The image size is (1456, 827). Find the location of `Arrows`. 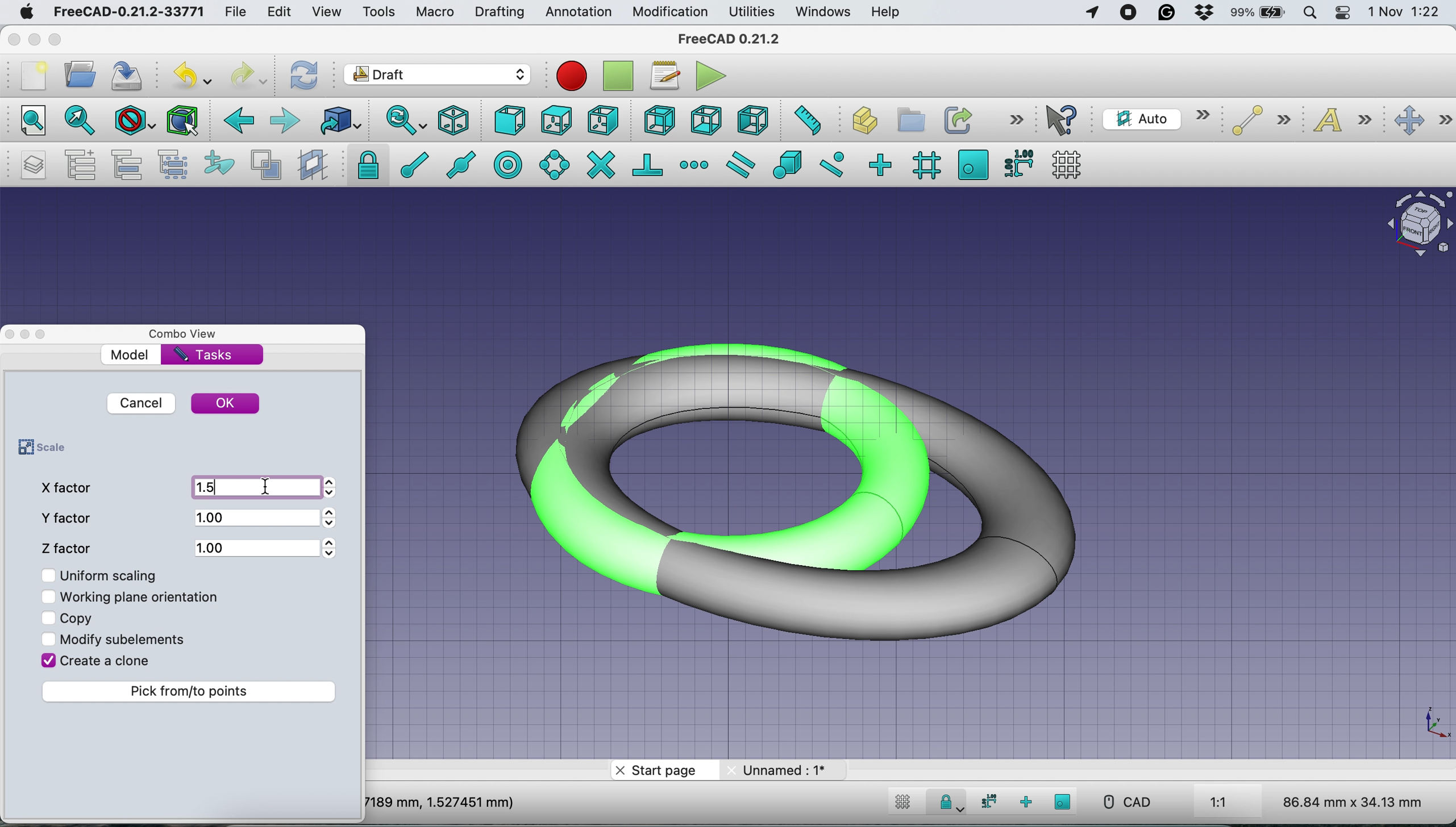

Arrows is located at coordinates (335, 487).